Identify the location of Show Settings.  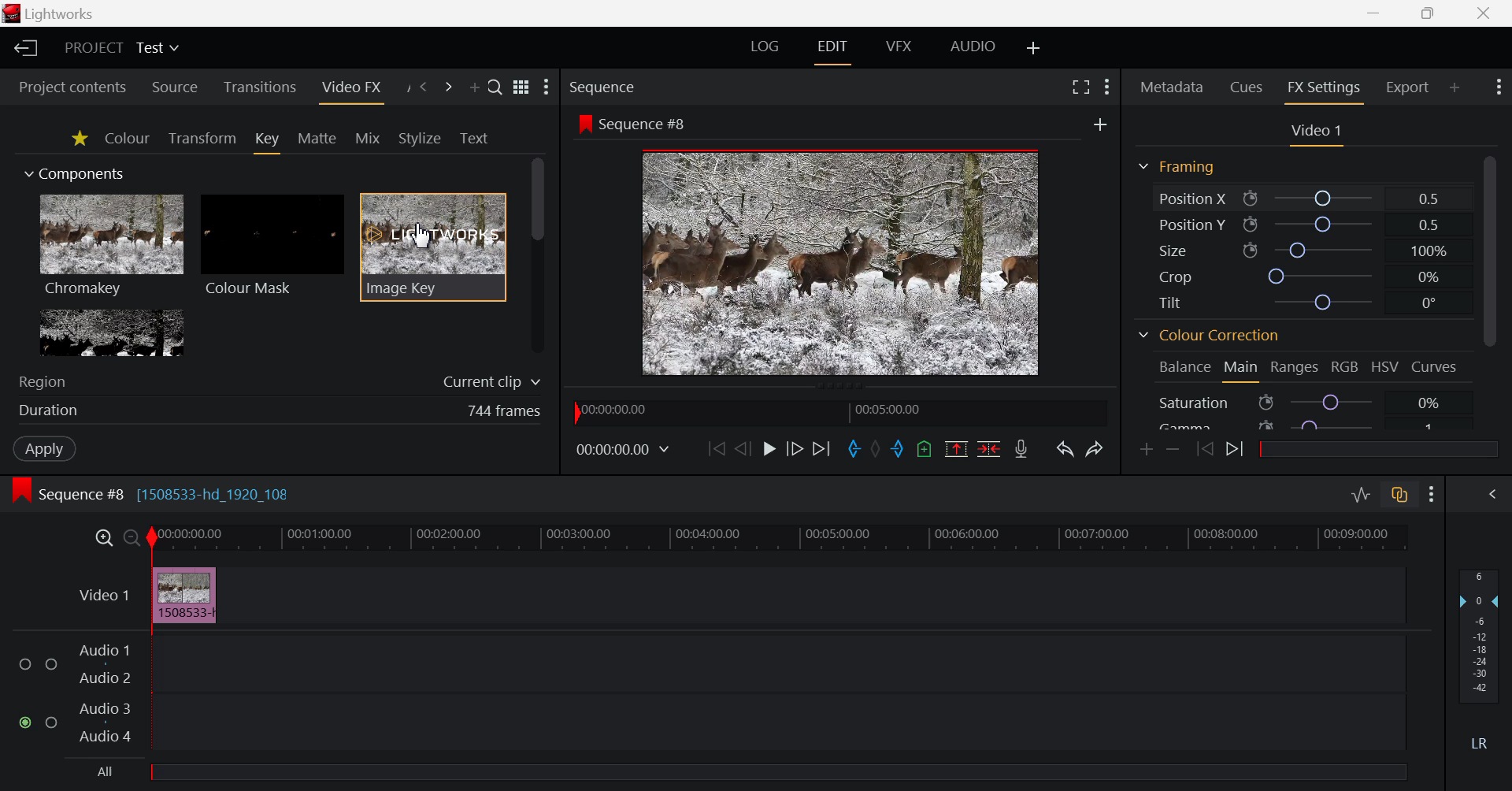
(1429, 493).